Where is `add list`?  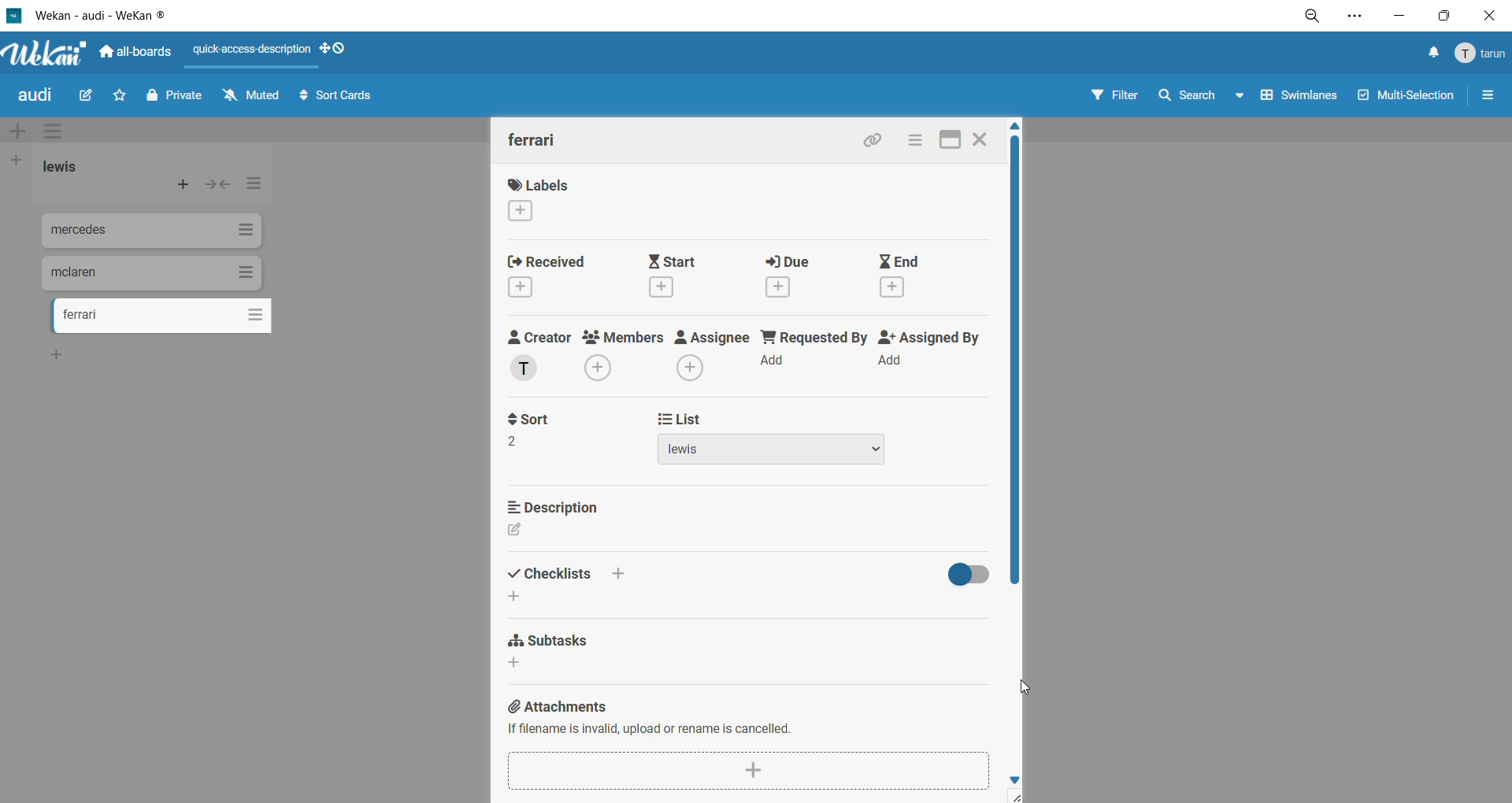
add list is located at coordinates (21, 160).